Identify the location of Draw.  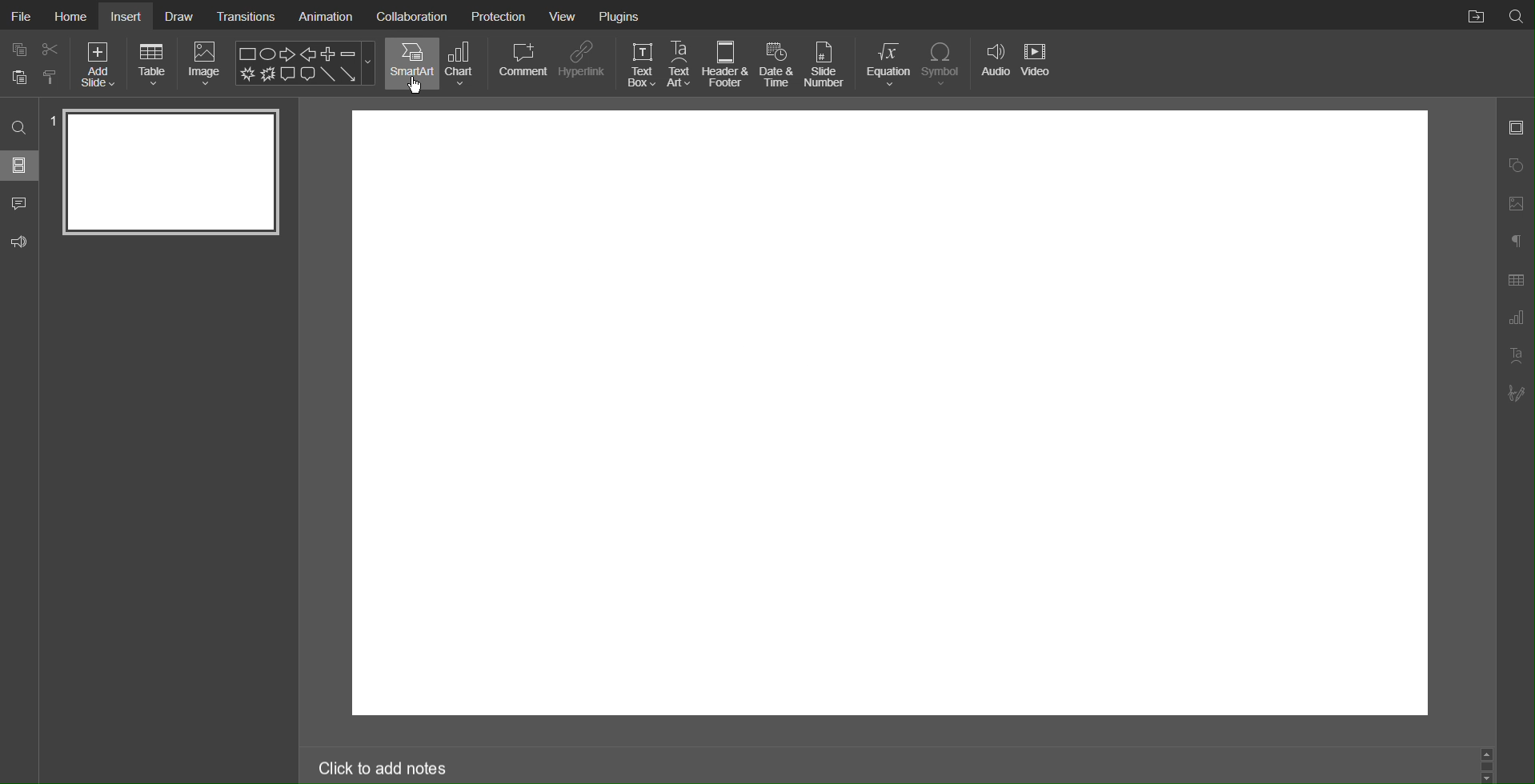
(179, 15).